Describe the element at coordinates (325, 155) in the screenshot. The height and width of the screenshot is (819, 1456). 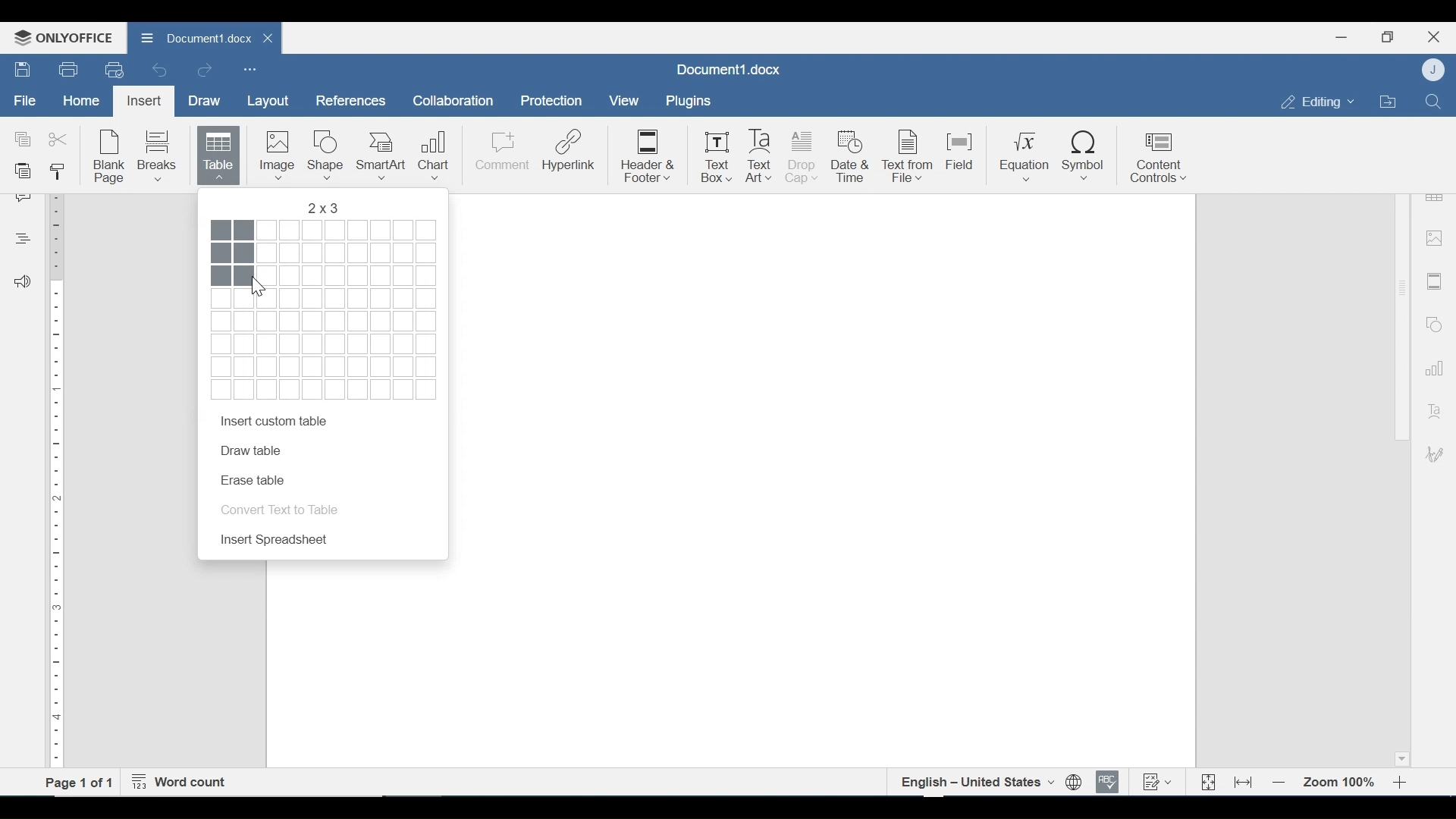
I see `Shape` at that location.